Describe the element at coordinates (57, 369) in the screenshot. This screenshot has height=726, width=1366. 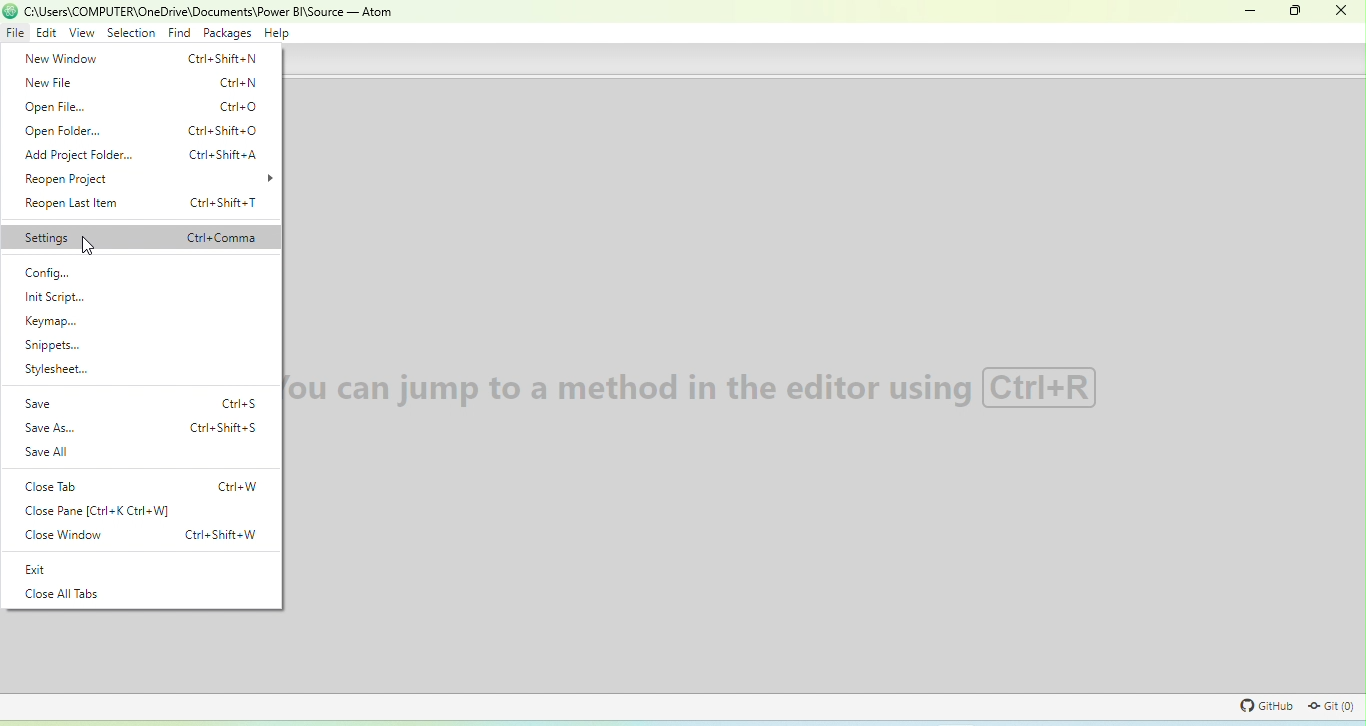
I see `stylesheet` at that location.